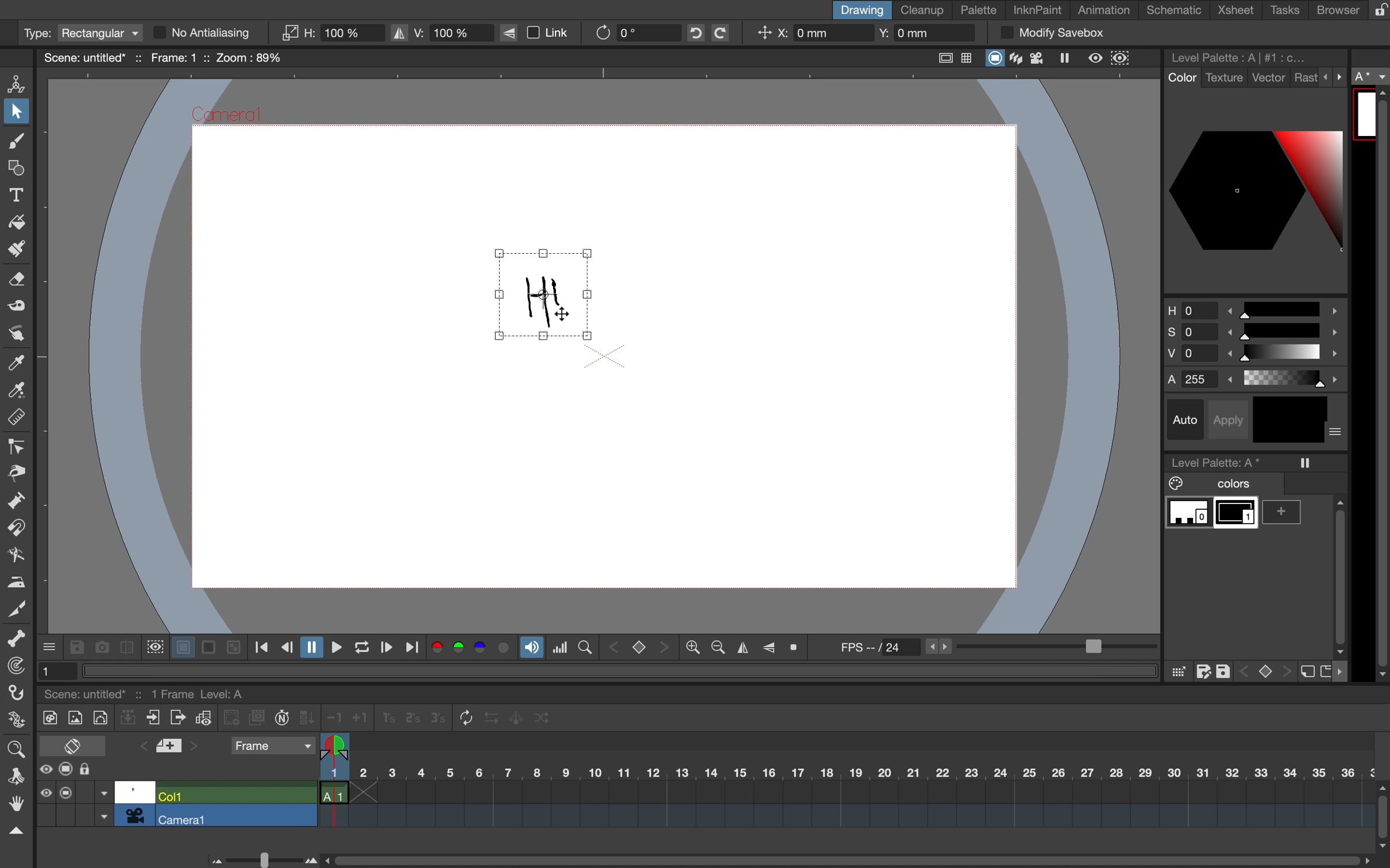  I want to click on save, so click(76, 648).